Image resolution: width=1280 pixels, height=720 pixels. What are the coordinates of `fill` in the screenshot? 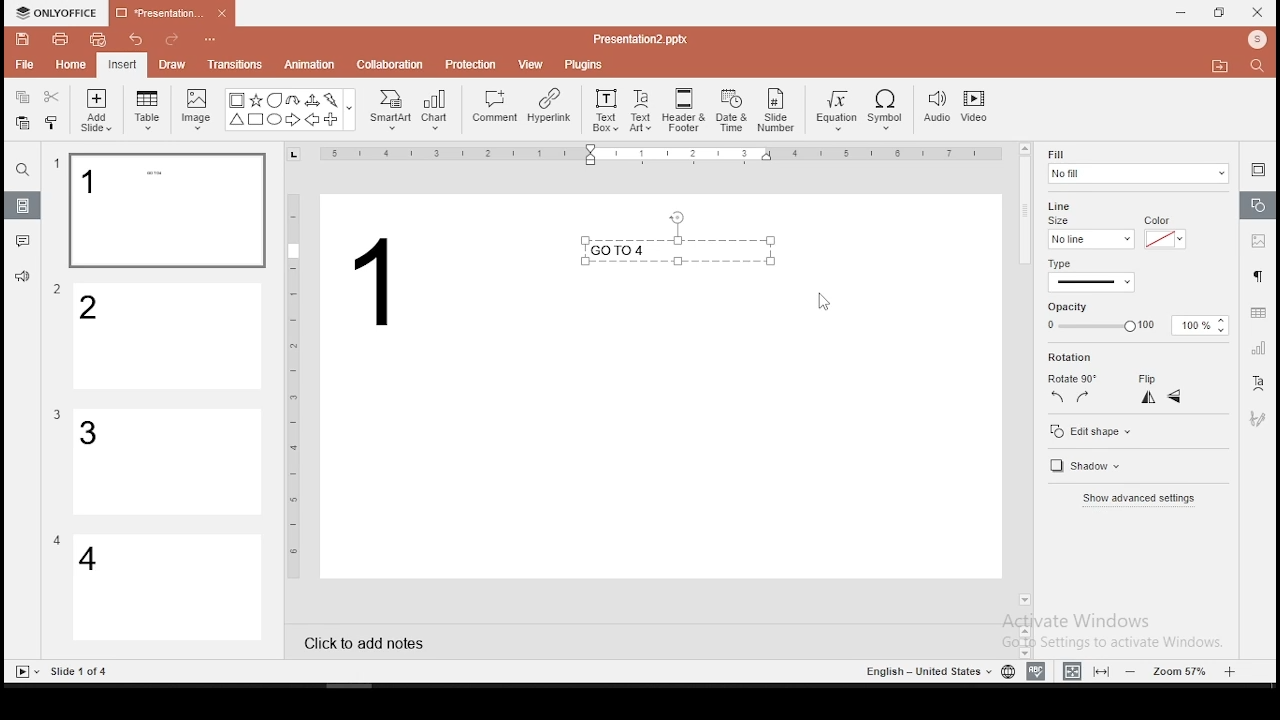 It's located at (1137, 166).